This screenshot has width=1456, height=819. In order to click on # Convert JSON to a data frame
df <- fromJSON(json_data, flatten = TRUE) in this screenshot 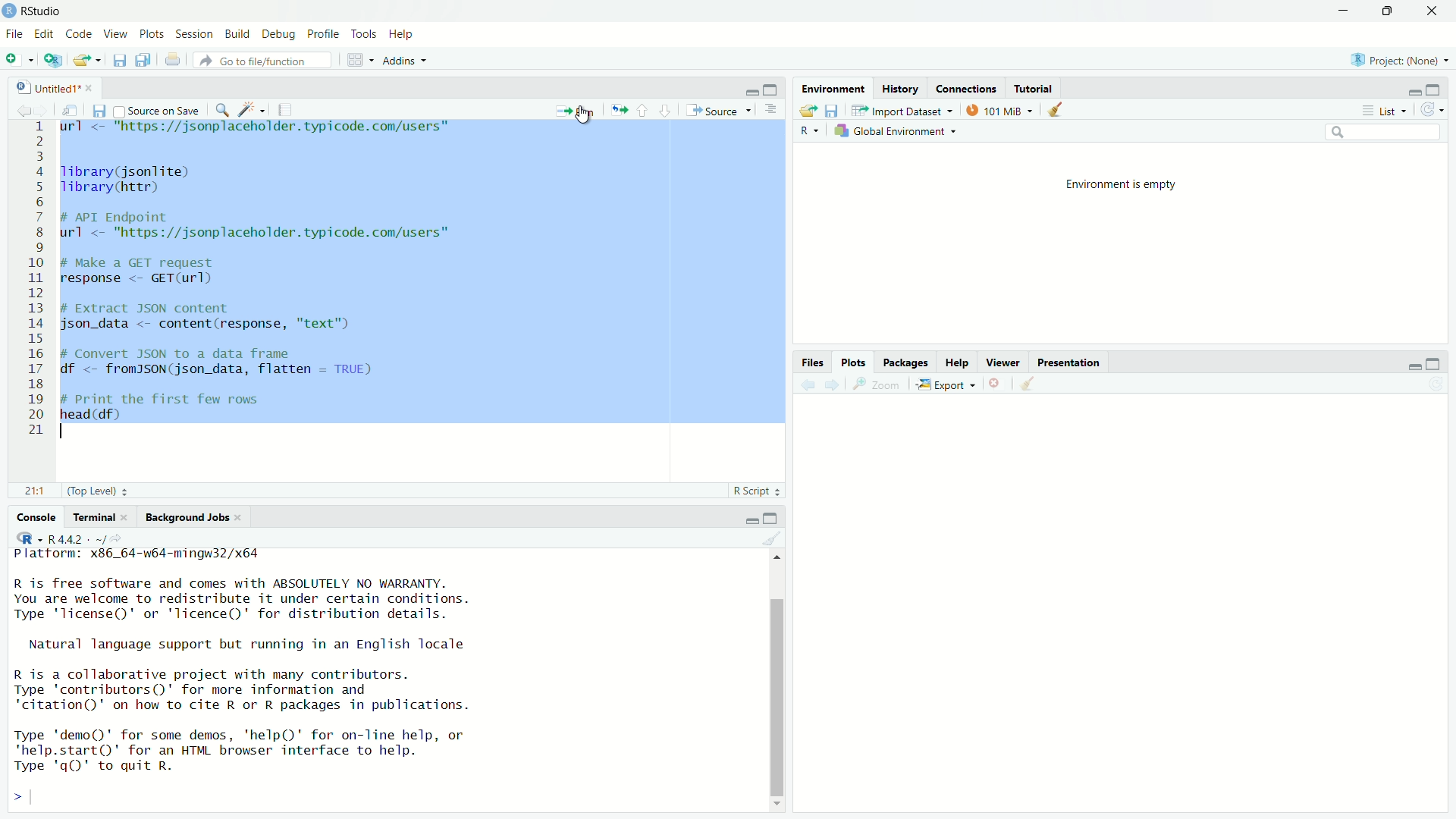, I will do `click(220, 362)`.